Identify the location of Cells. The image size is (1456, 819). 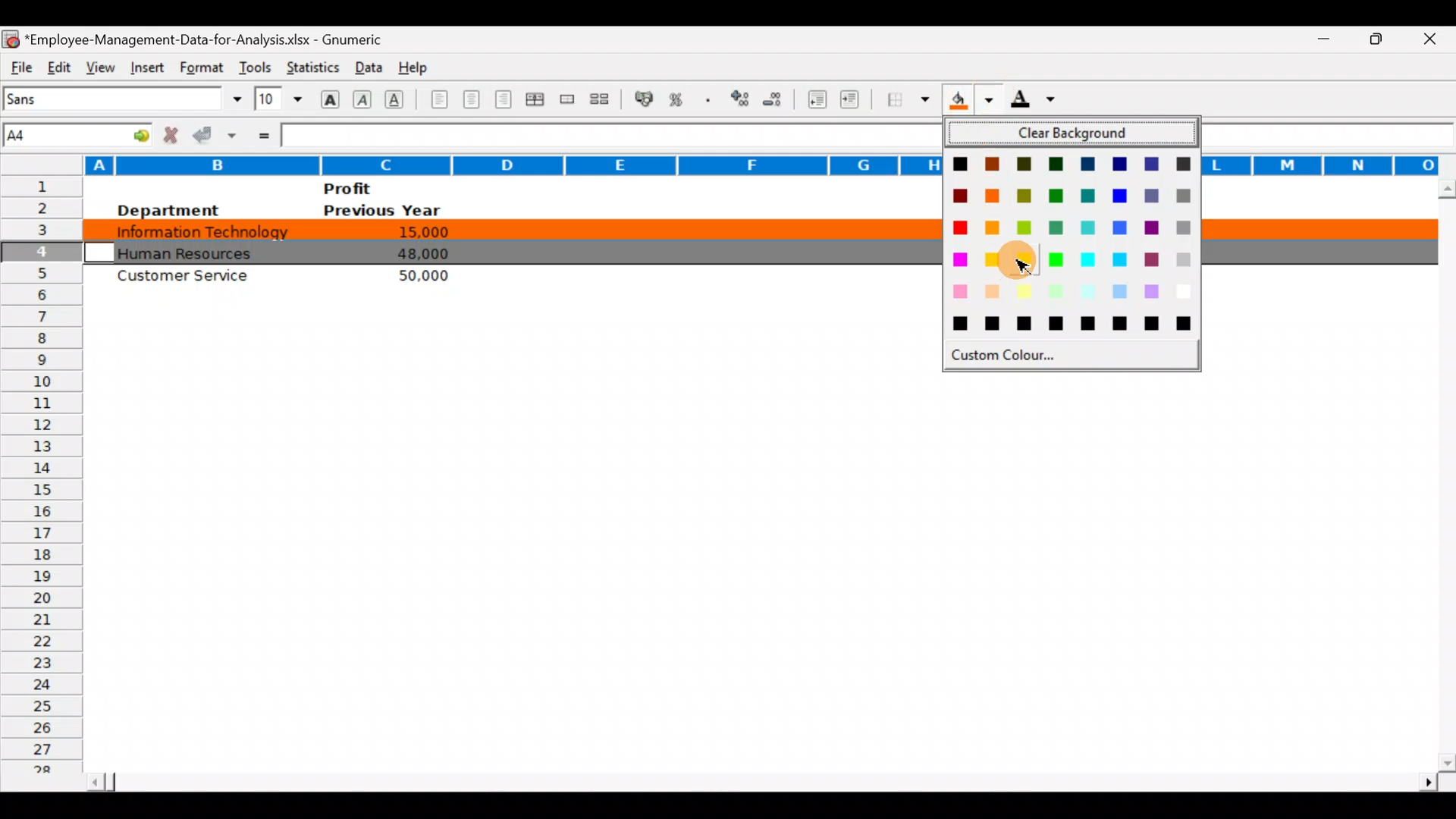
(755, 566).